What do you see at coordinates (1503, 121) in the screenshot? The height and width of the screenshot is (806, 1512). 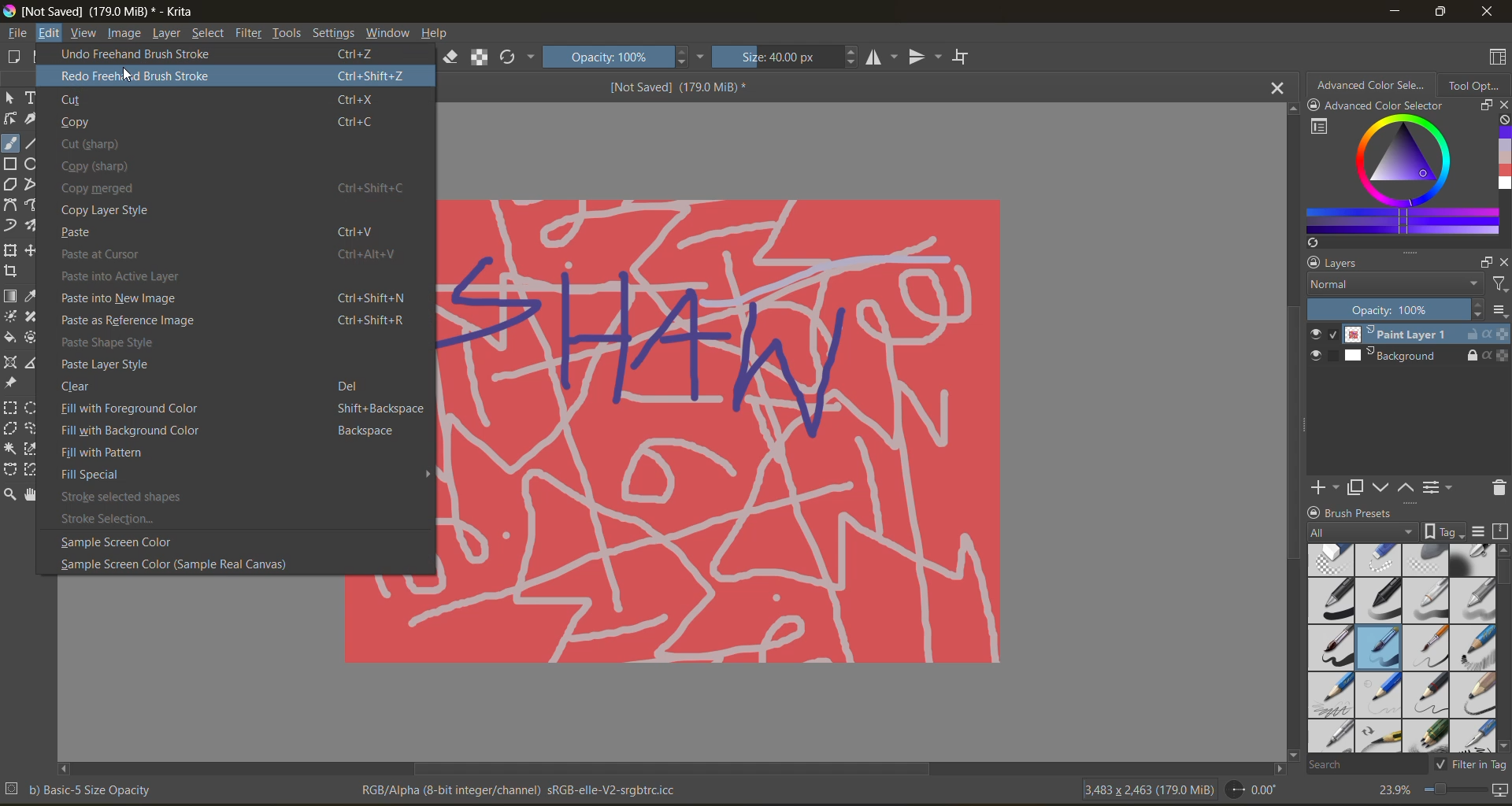 I see `clear all color history` at bounding box center [1503, 121].